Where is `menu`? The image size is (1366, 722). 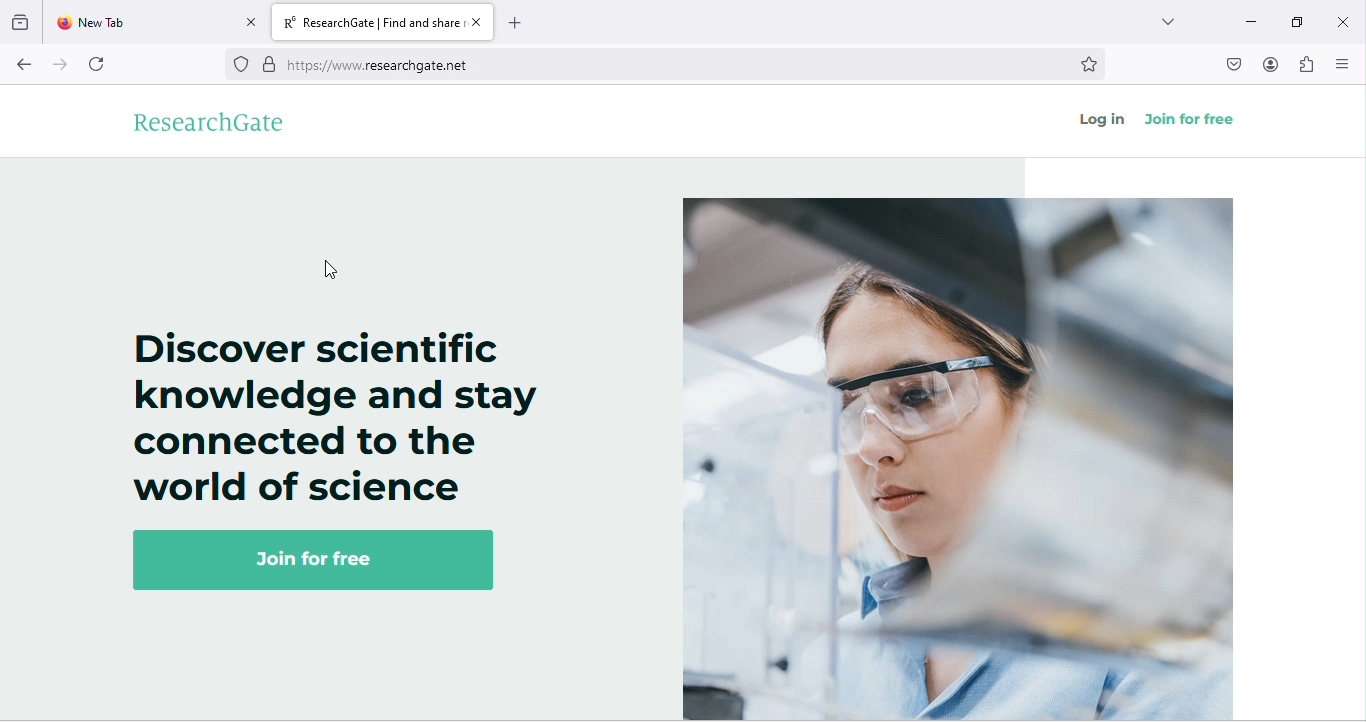
menu is located at coordinates (1343, 61).